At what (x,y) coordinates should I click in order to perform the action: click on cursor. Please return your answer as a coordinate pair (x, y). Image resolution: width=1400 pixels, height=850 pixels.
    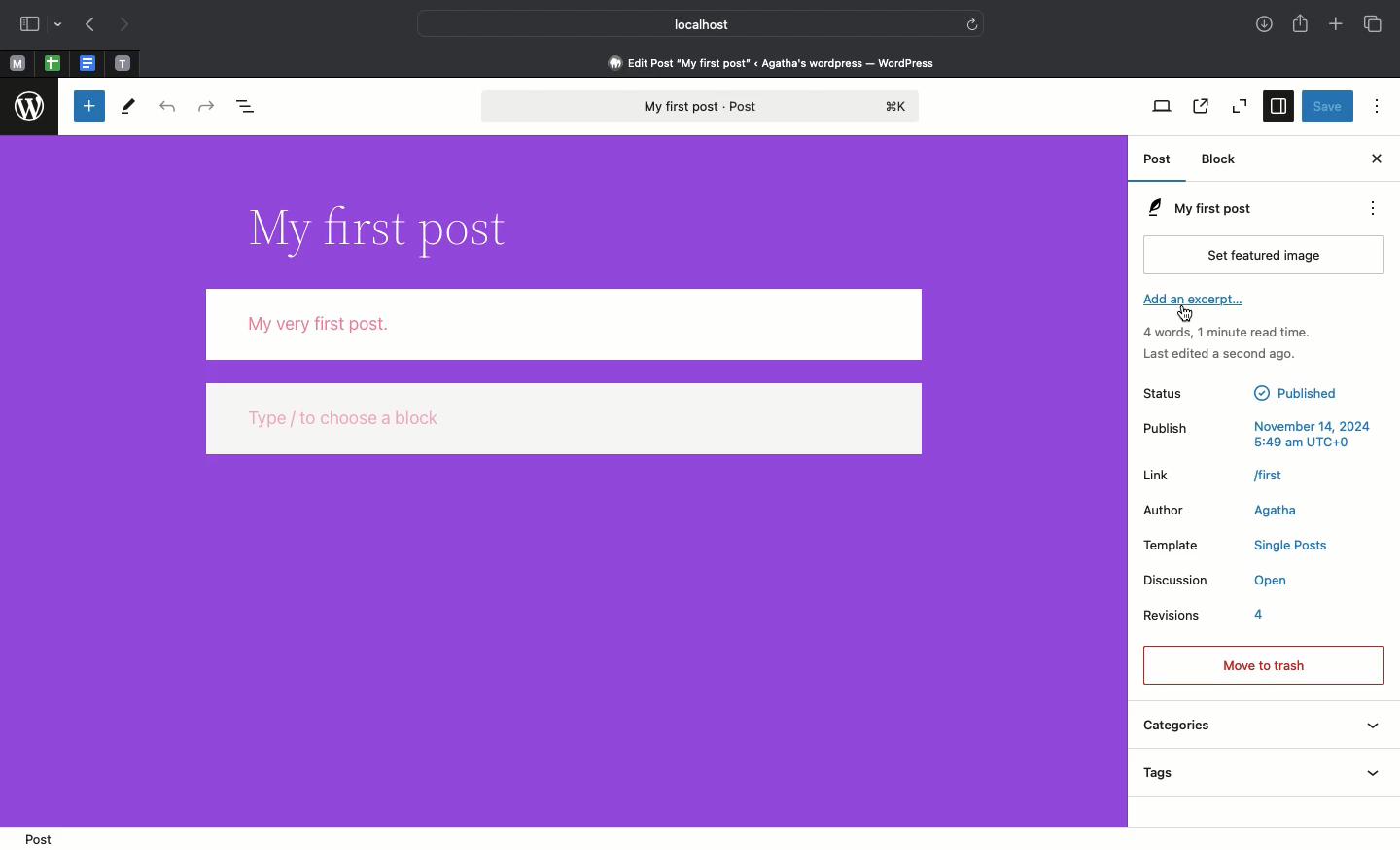
    Looking at the image, I should click on (1185, 314).